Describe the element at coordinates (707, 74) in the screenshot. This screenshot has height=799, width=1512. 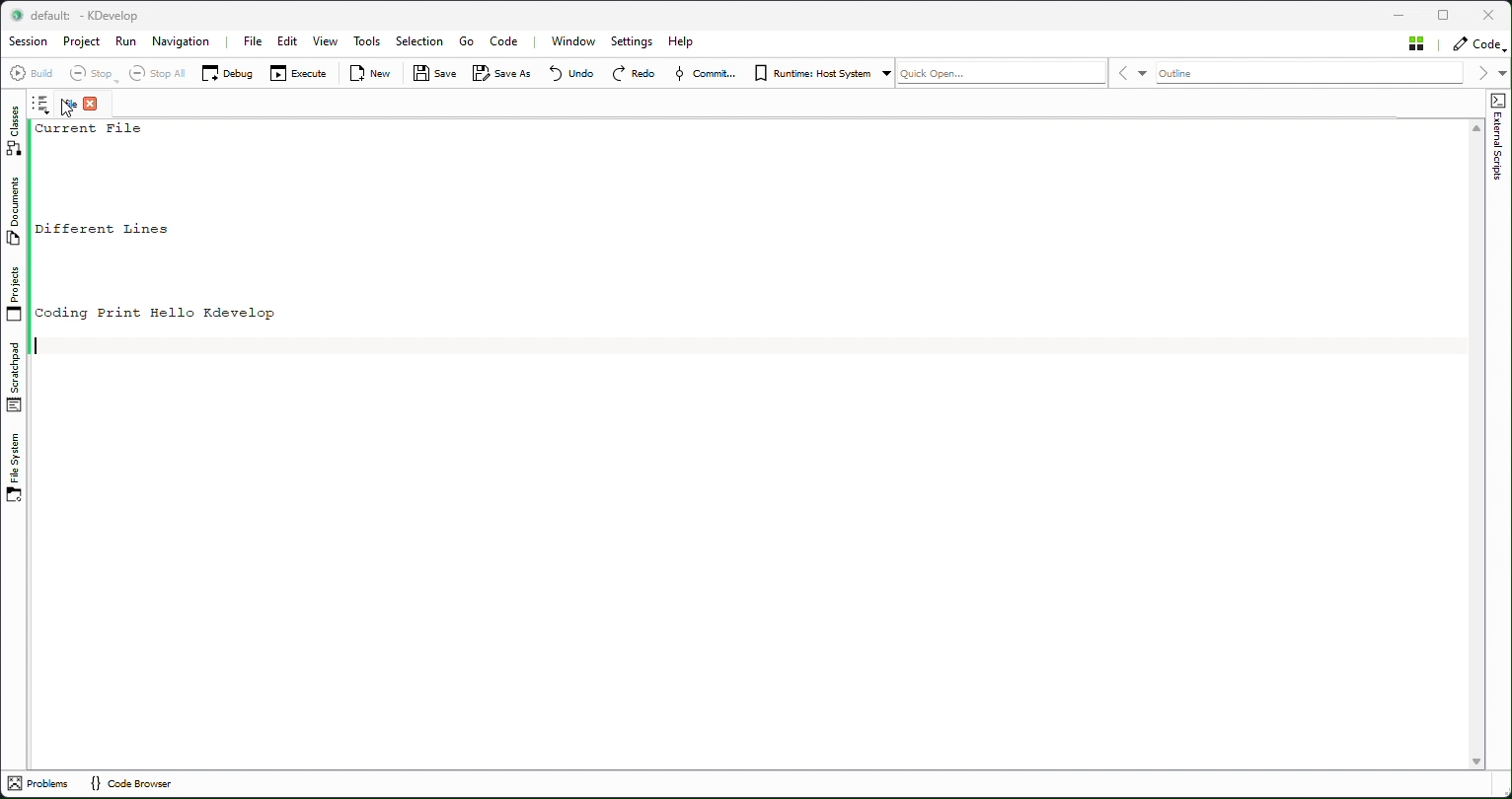
I see `Commit` at that location.